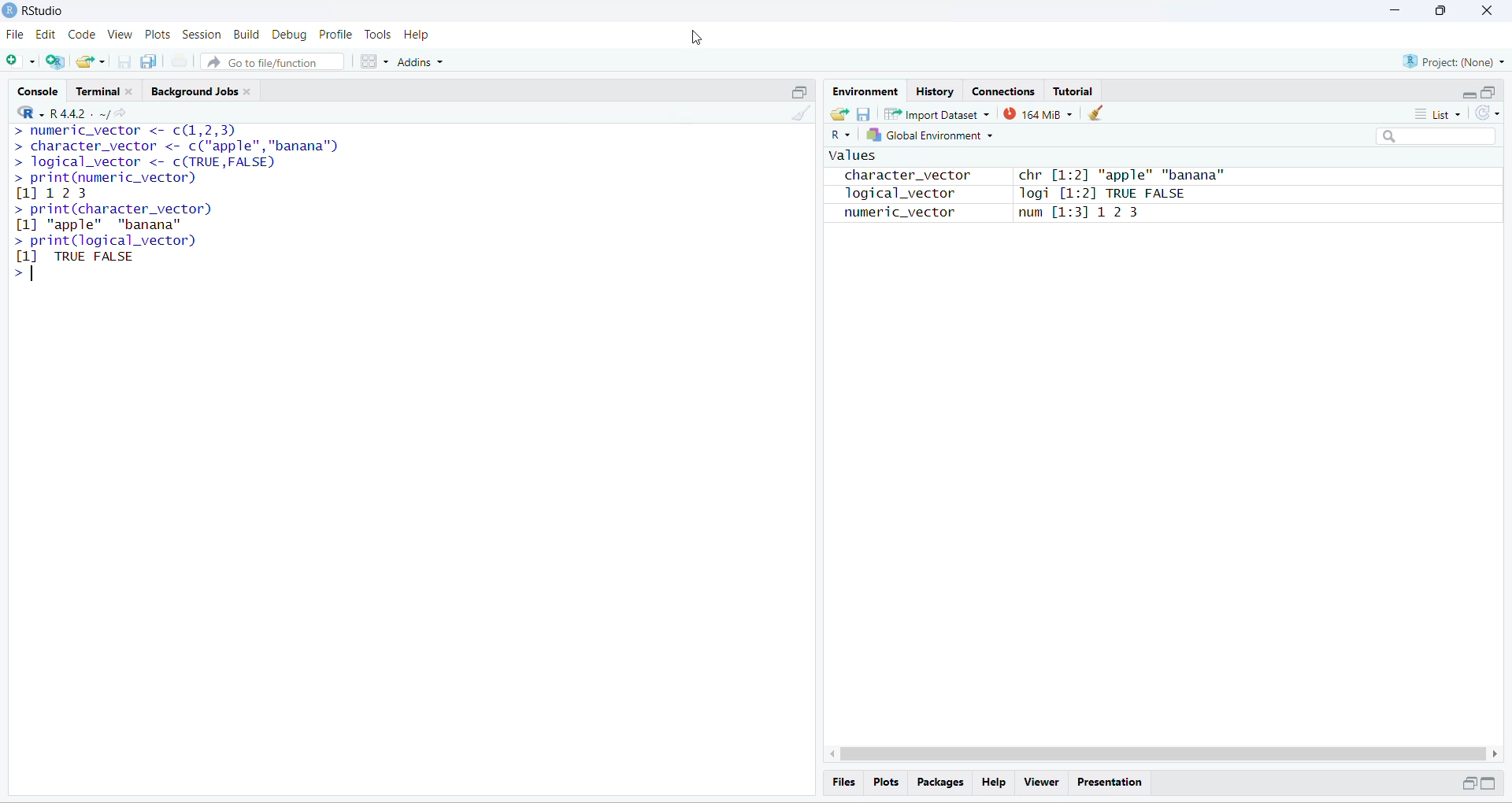 This screenshot has width=1512, height=803. Describe the element at coordinates (1098, 113) in the screenshot. I see `clear` at that location.